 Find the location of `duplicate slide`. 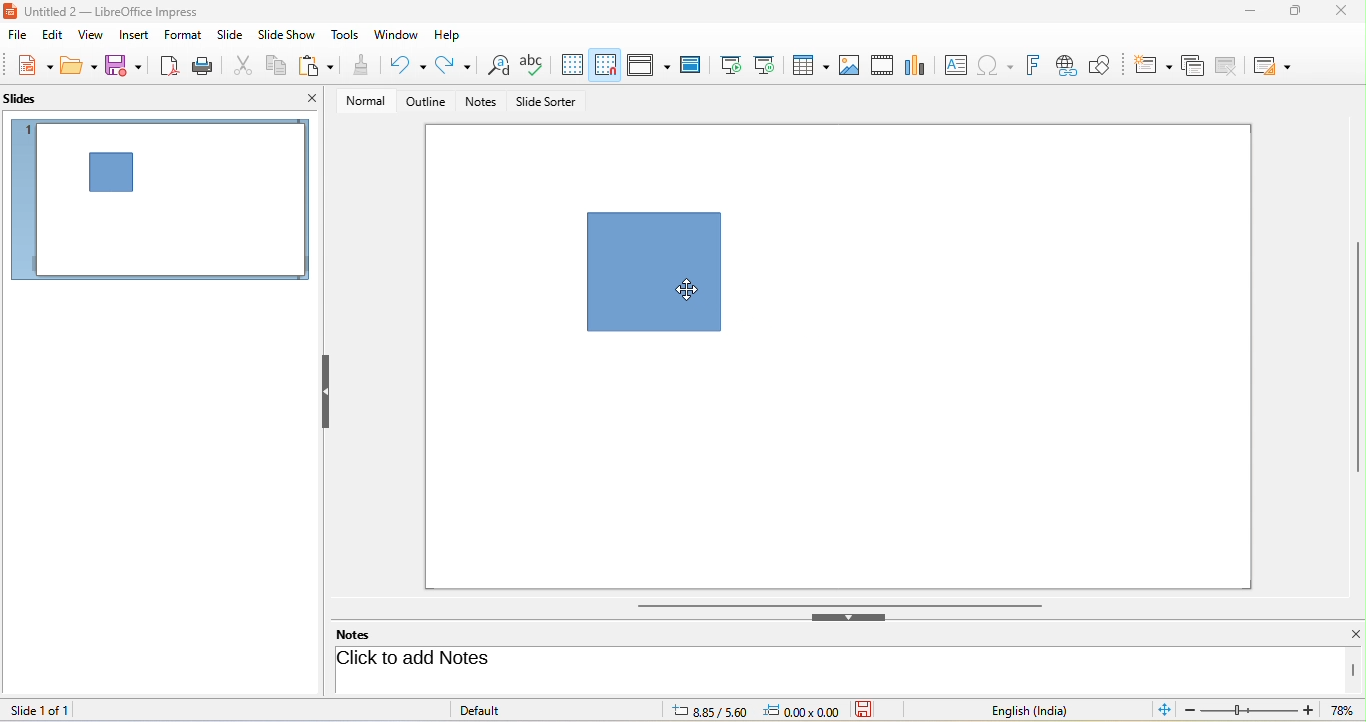

duplicate slide is located at coordinates (1192, 64).